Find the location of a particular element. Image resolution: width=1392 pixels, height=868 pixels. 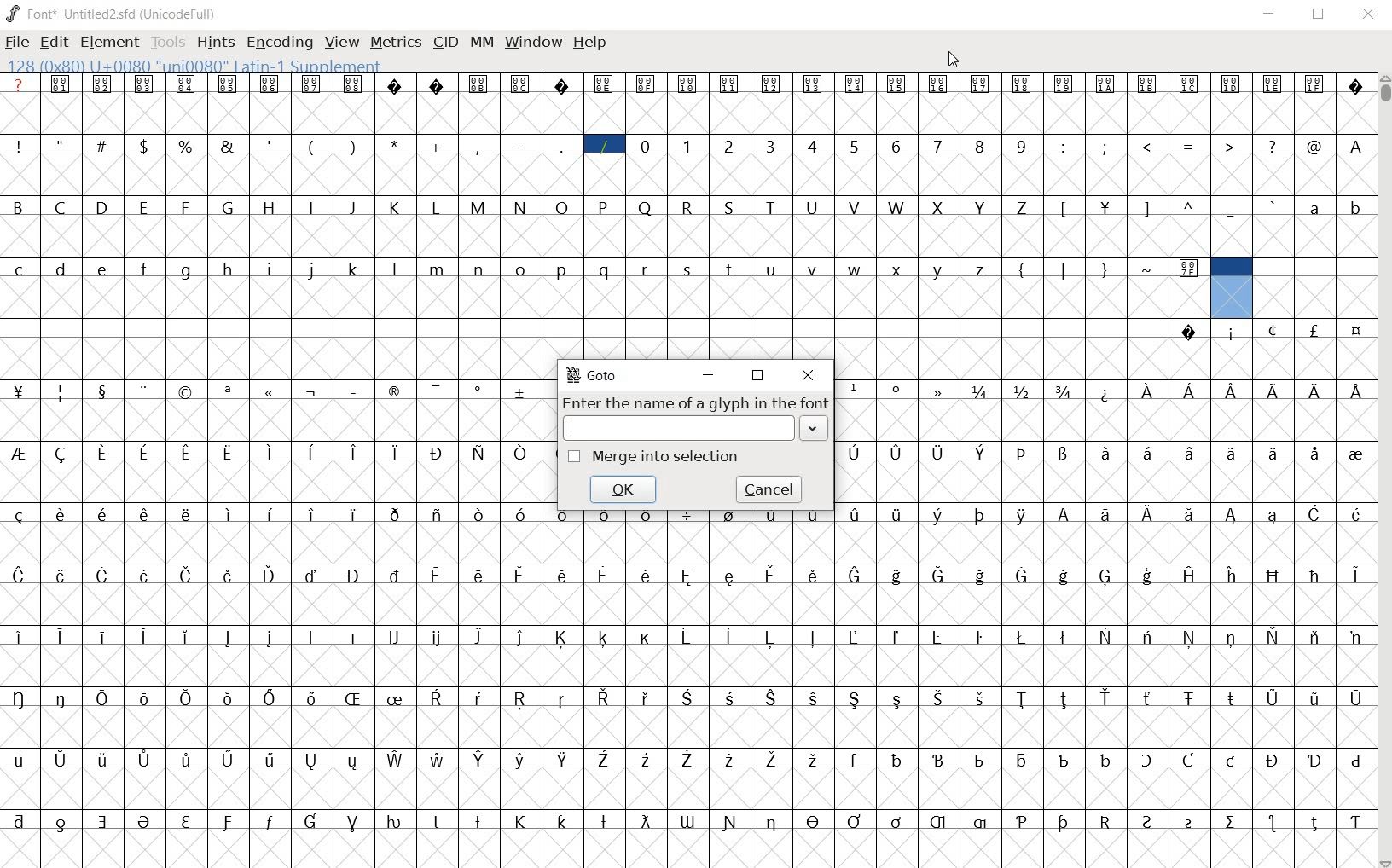

Symbol is located at coordinates (896, 758).